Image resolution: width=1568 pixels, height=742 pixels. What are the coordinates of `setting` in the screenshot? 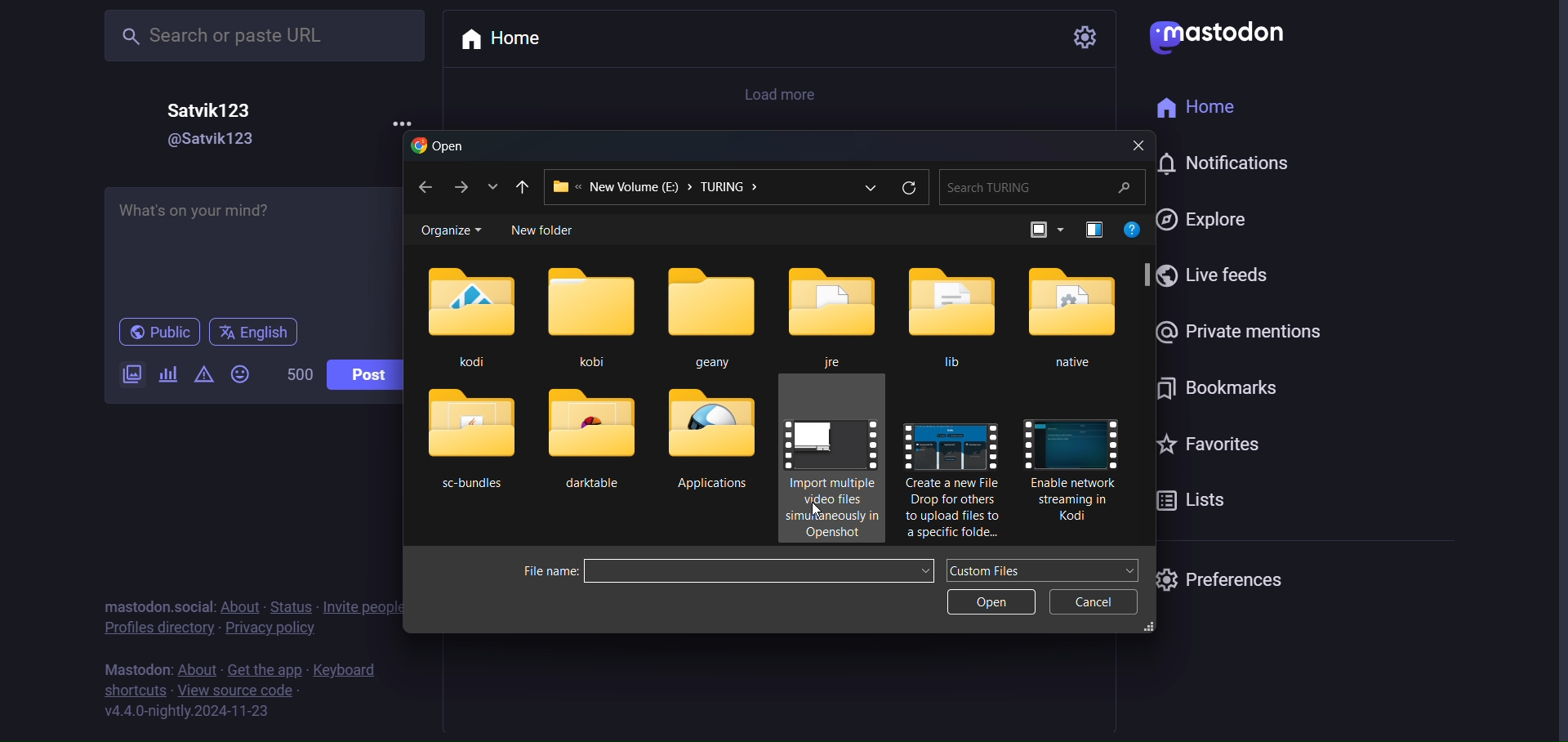 It's located at (1081, 38).